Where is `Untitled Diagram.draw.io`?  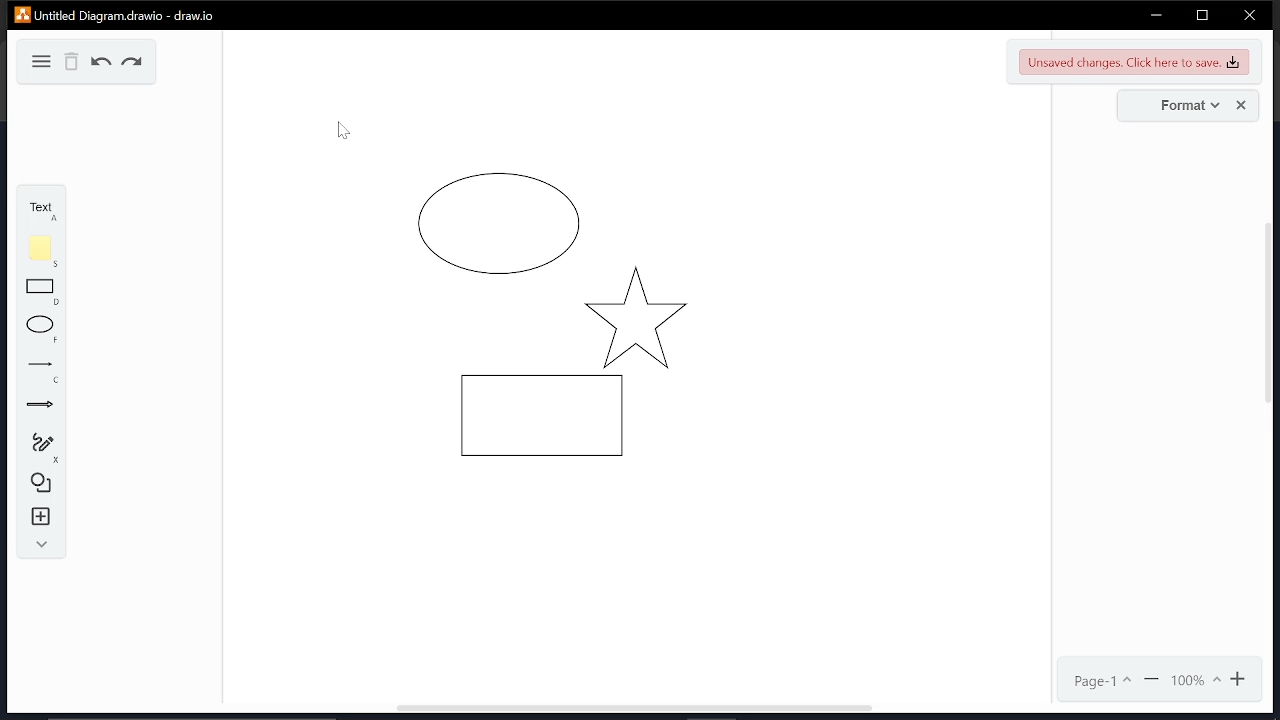 Untitled Diagram.draw.io is located at coordinates (116, 14).